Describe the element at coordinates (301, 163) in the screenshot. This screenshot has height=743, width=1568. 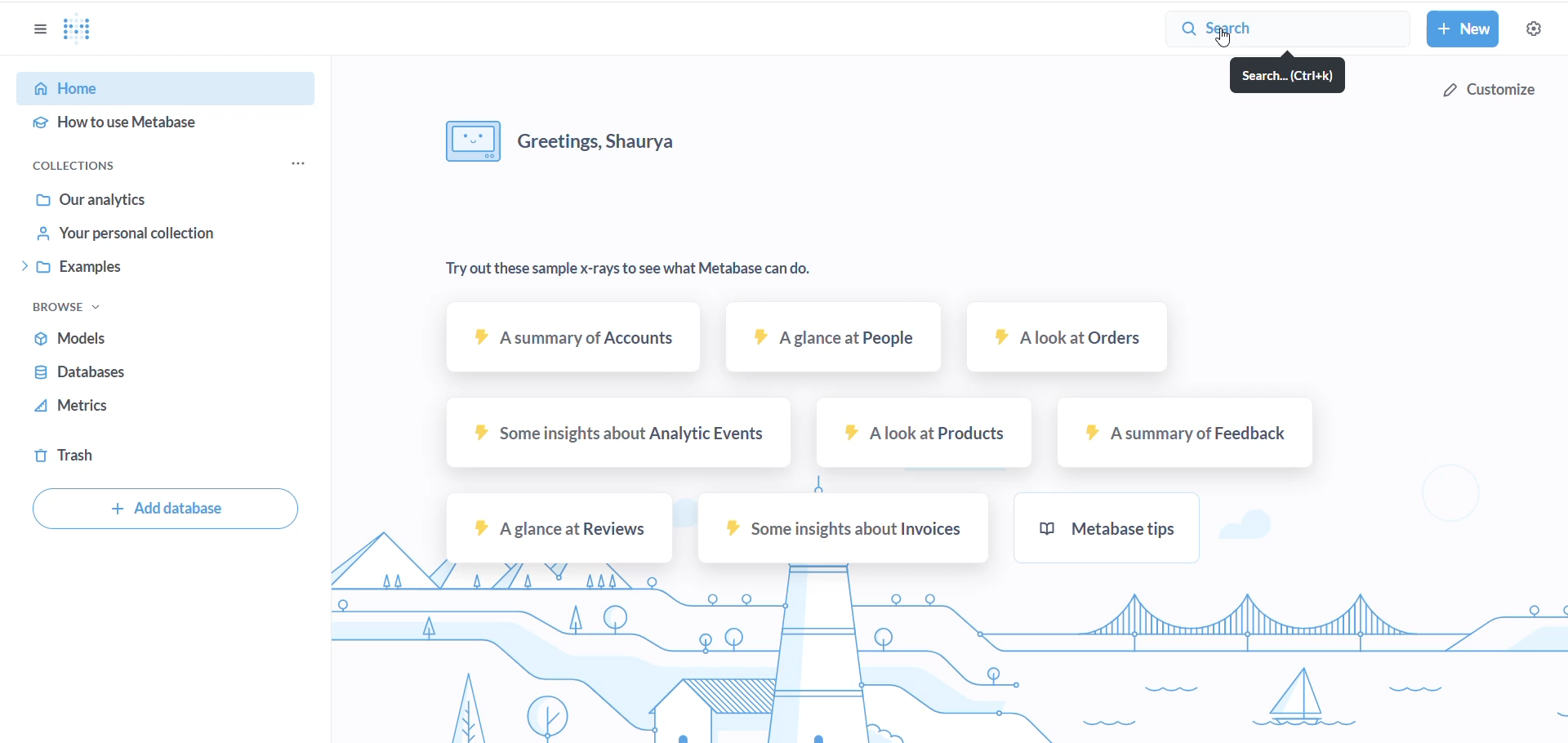
I see `collection options` at that location.